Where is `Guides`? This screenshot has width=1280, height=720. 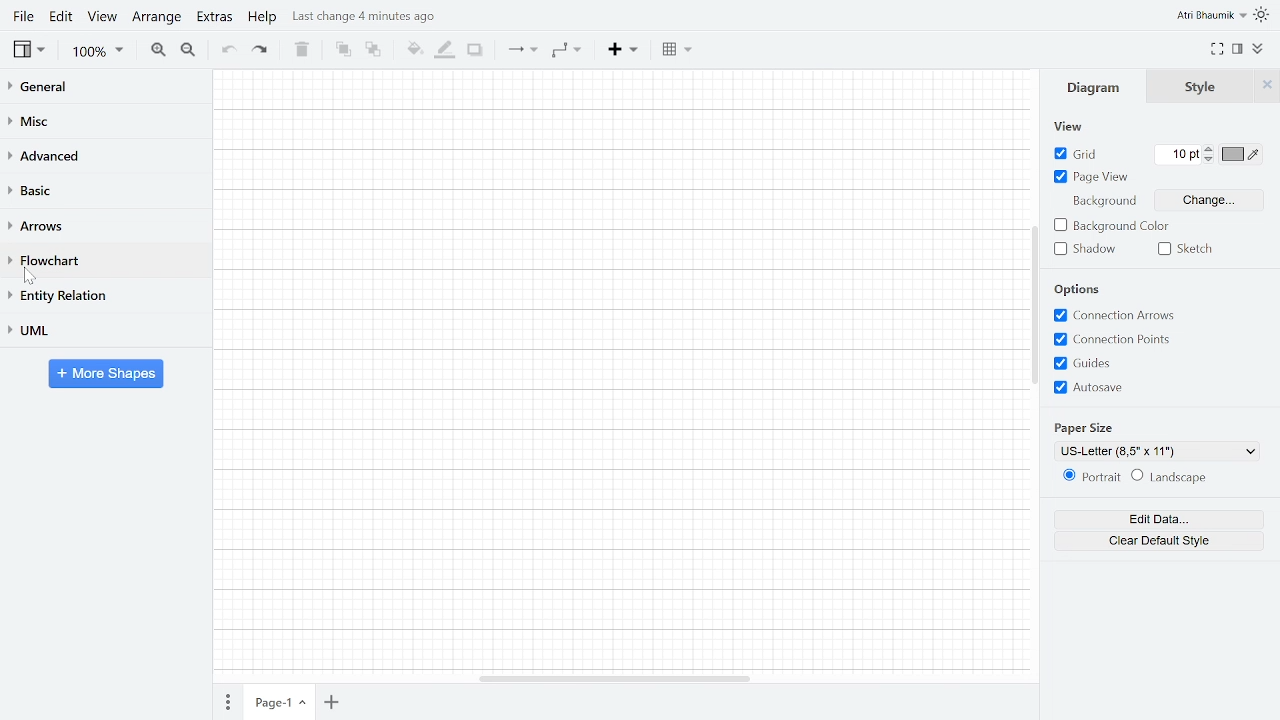 Guides is located at coordinates (1084, 363).